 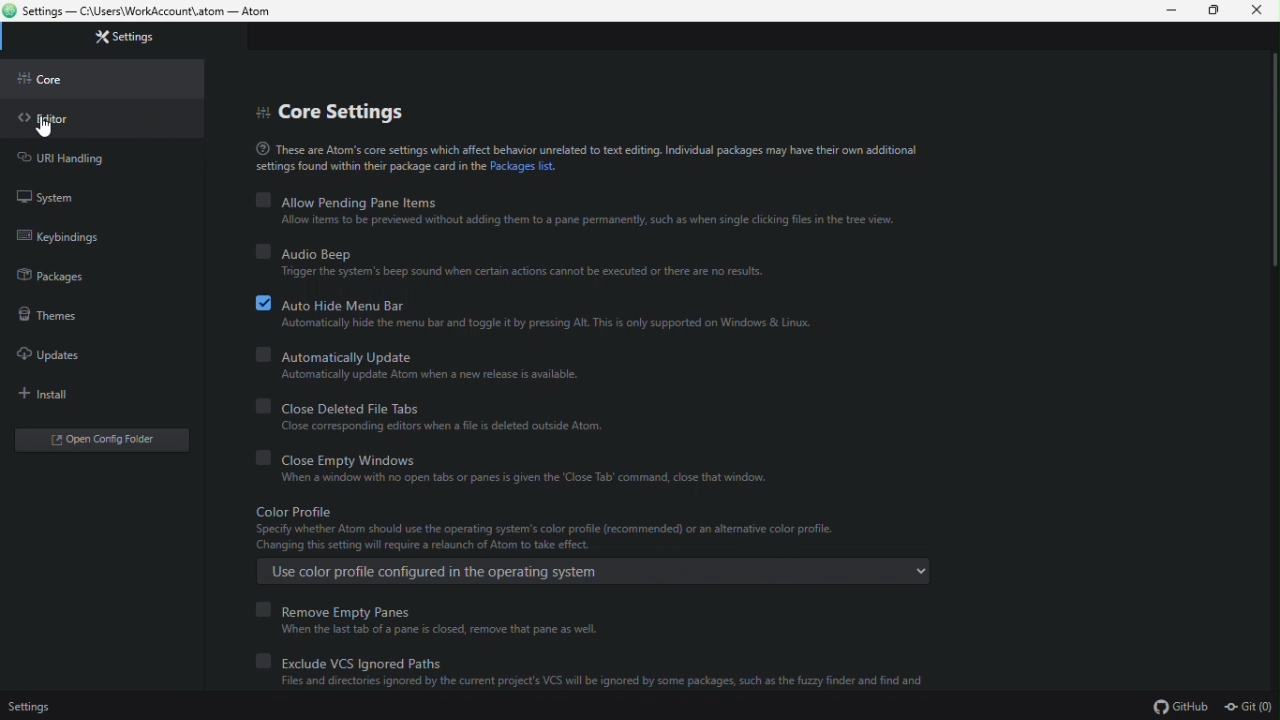 I want to click on Exclude VCS Ignored Paths, so click(x=595, y=659).